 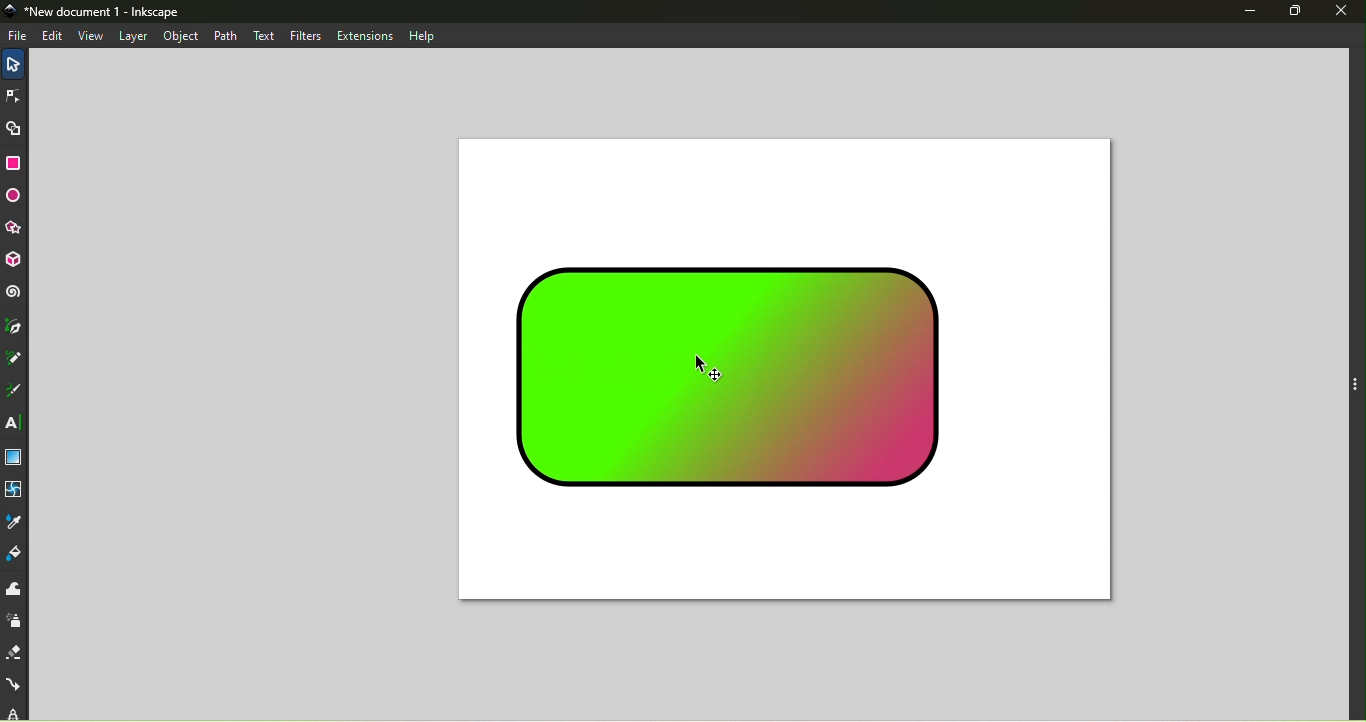 What do you see at coordinates (706, 365) in the screenshot?
I see `cursor` at bounding box center [706, 365].